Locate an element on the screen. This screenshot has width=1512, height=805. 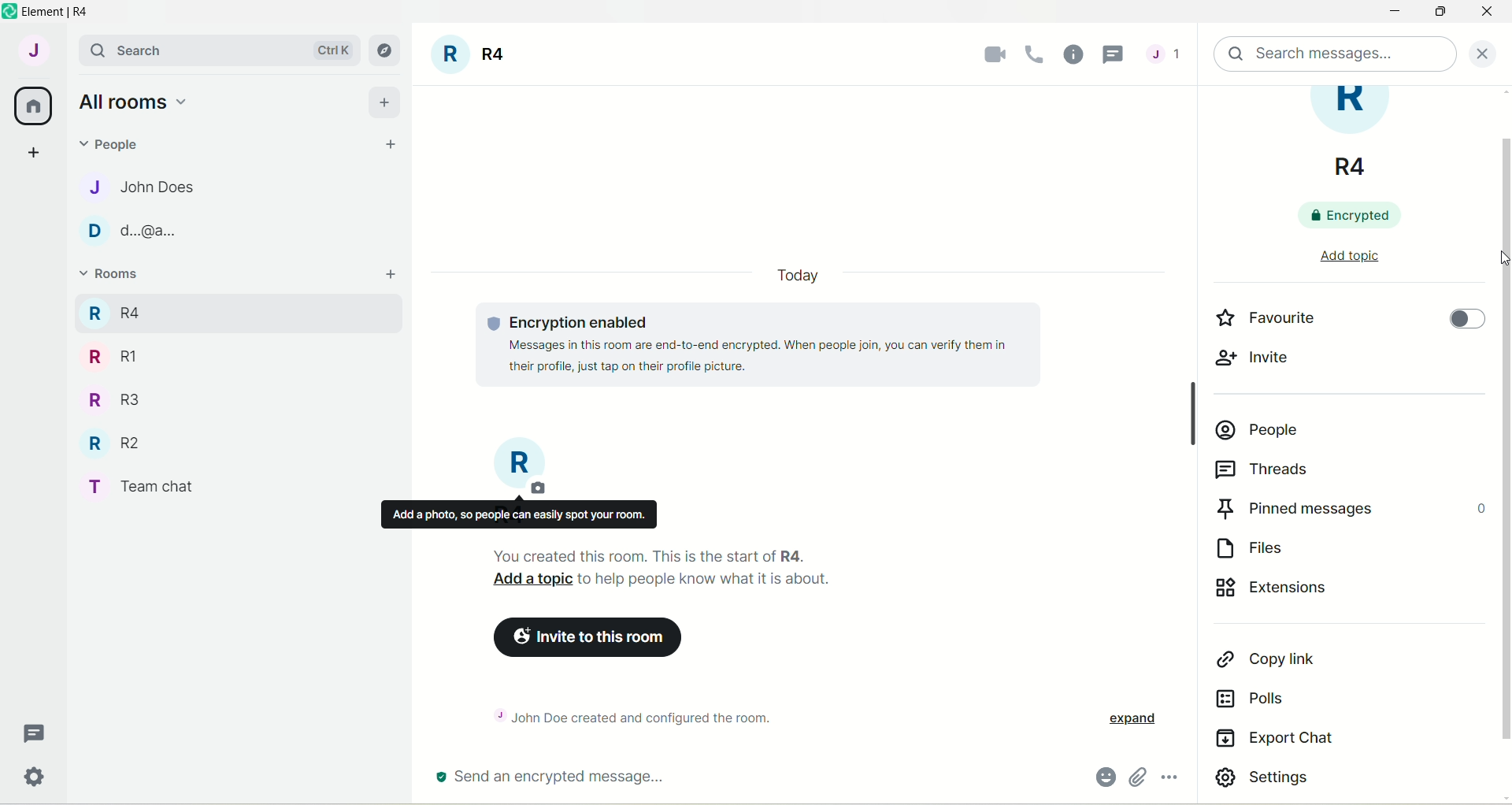
threads is located at coordinates (1269, 470).